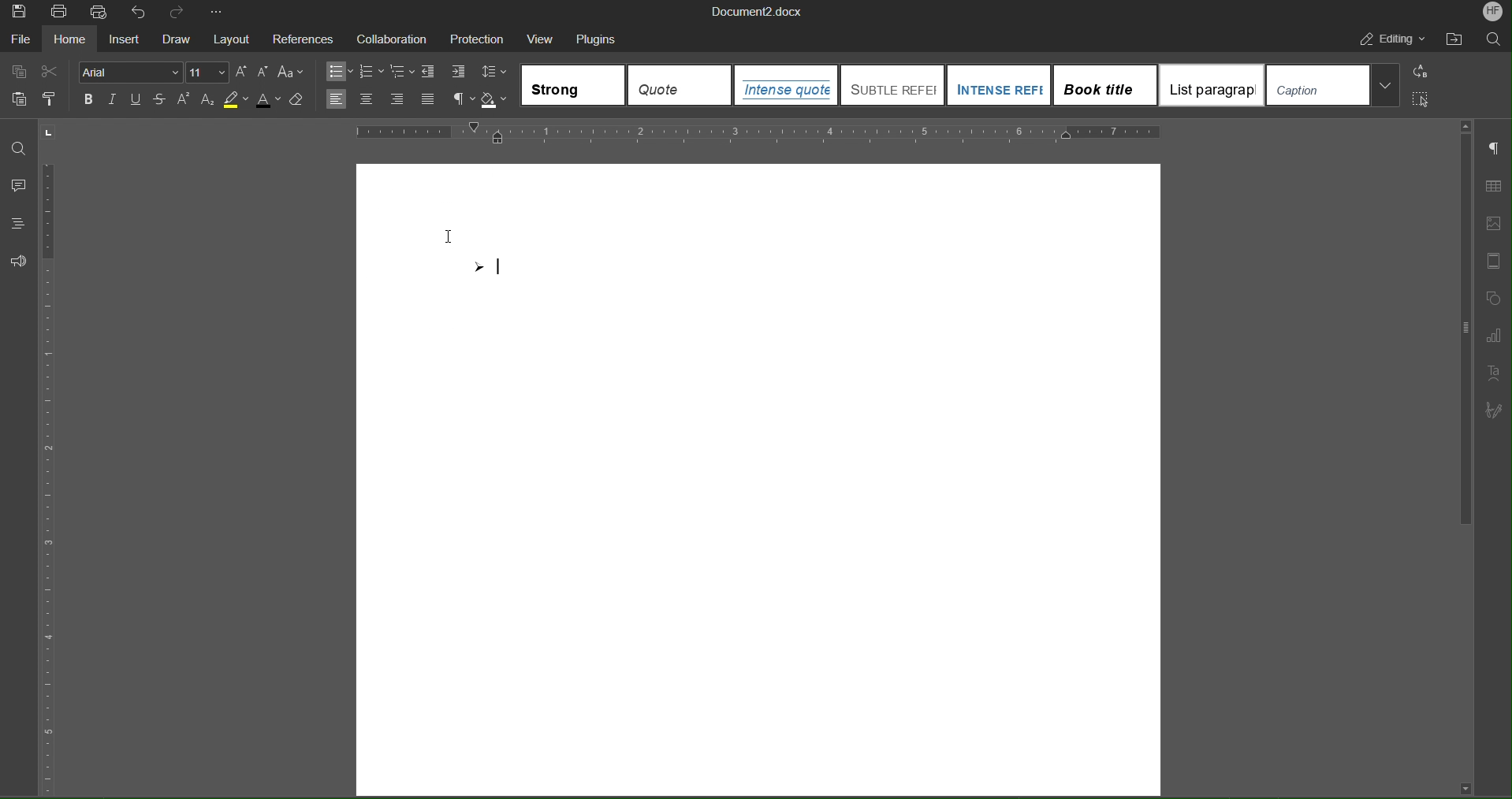  Describe the element at coordinates (1492, 222) in the screenshot. I see `Image Settings` at that location.